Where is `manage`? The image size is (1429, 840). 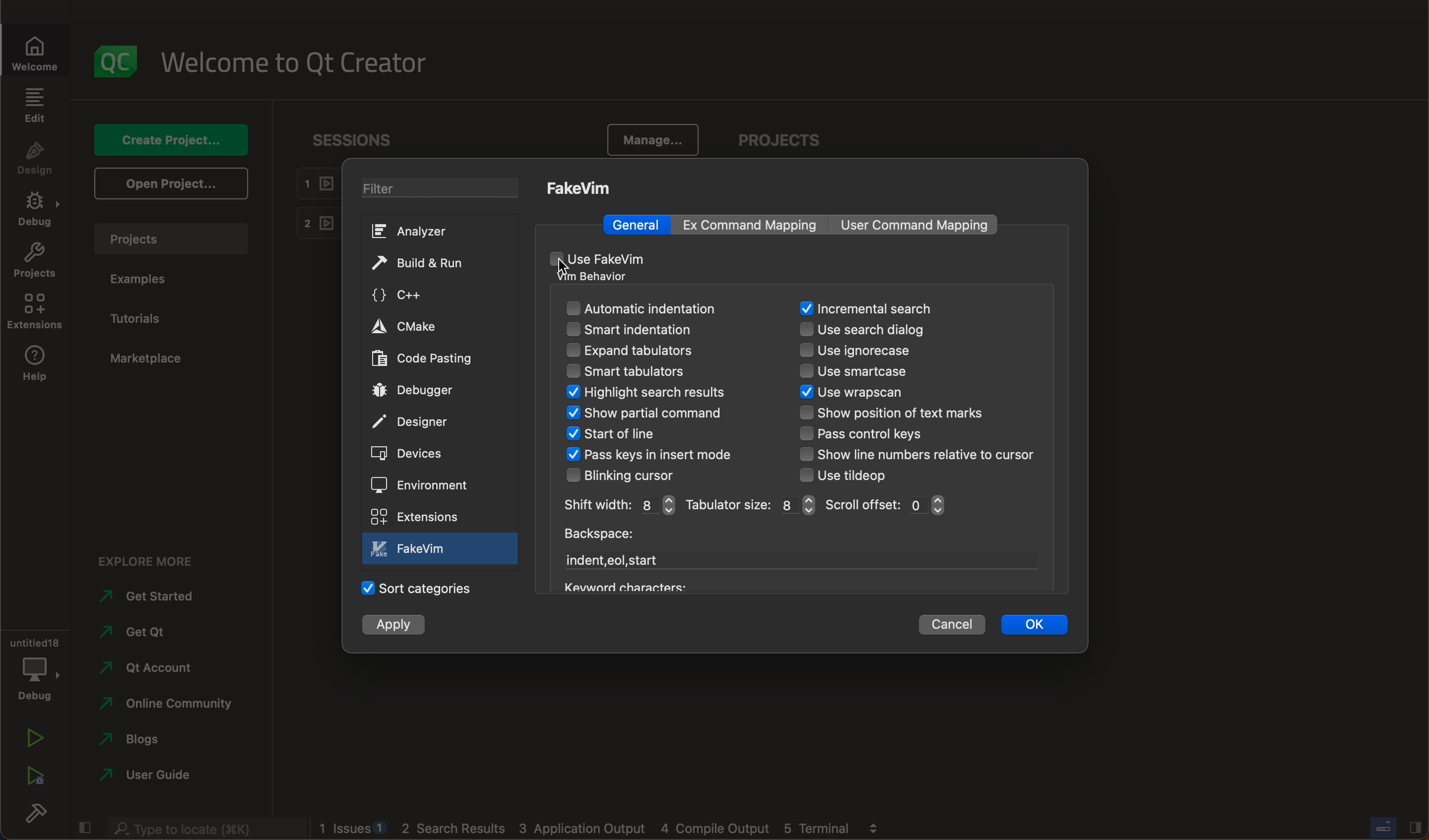
manage is located at coordinates (654, 142).